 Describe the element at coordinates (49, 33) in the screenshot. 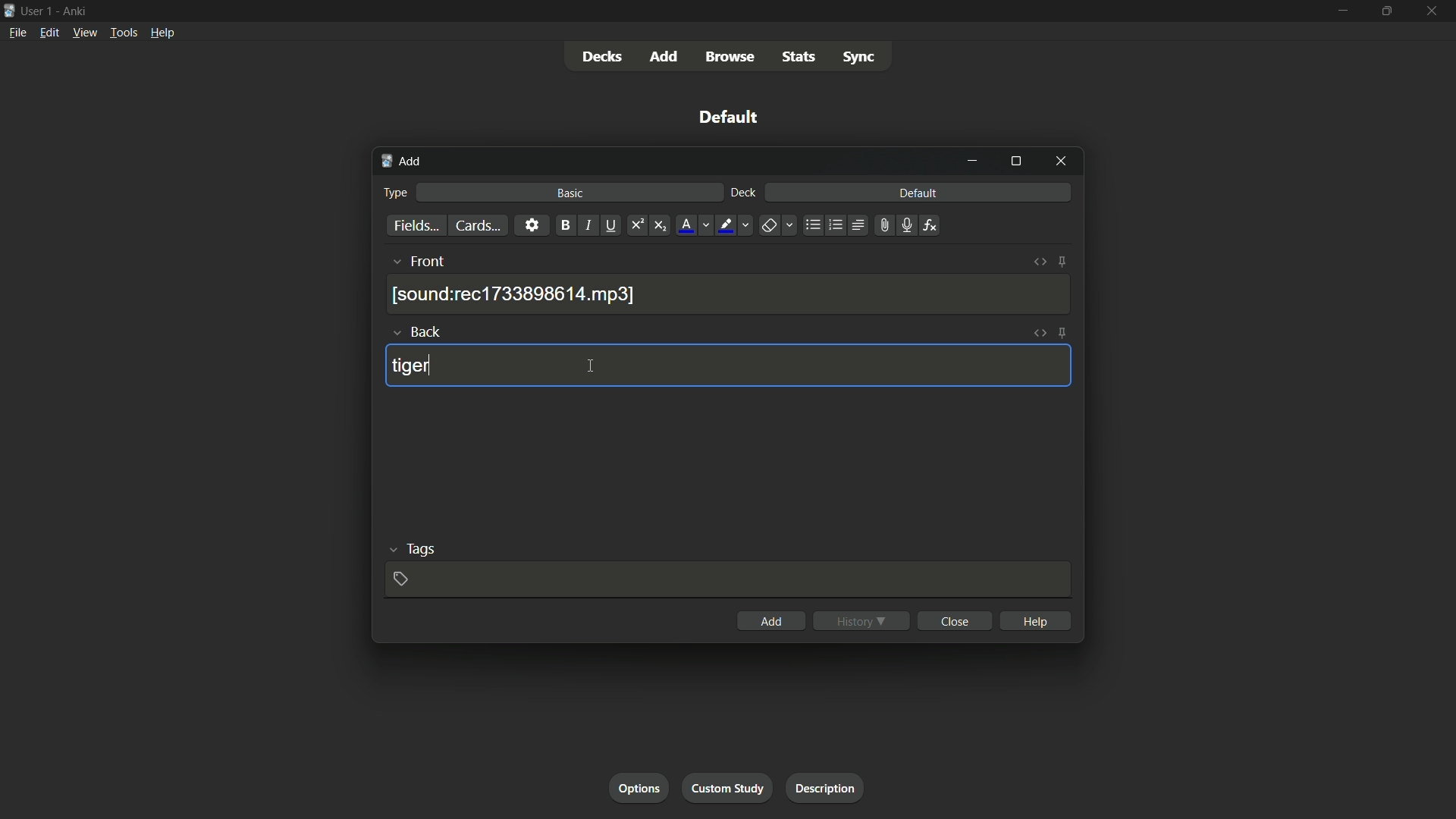

I see `edit menu` at that location.